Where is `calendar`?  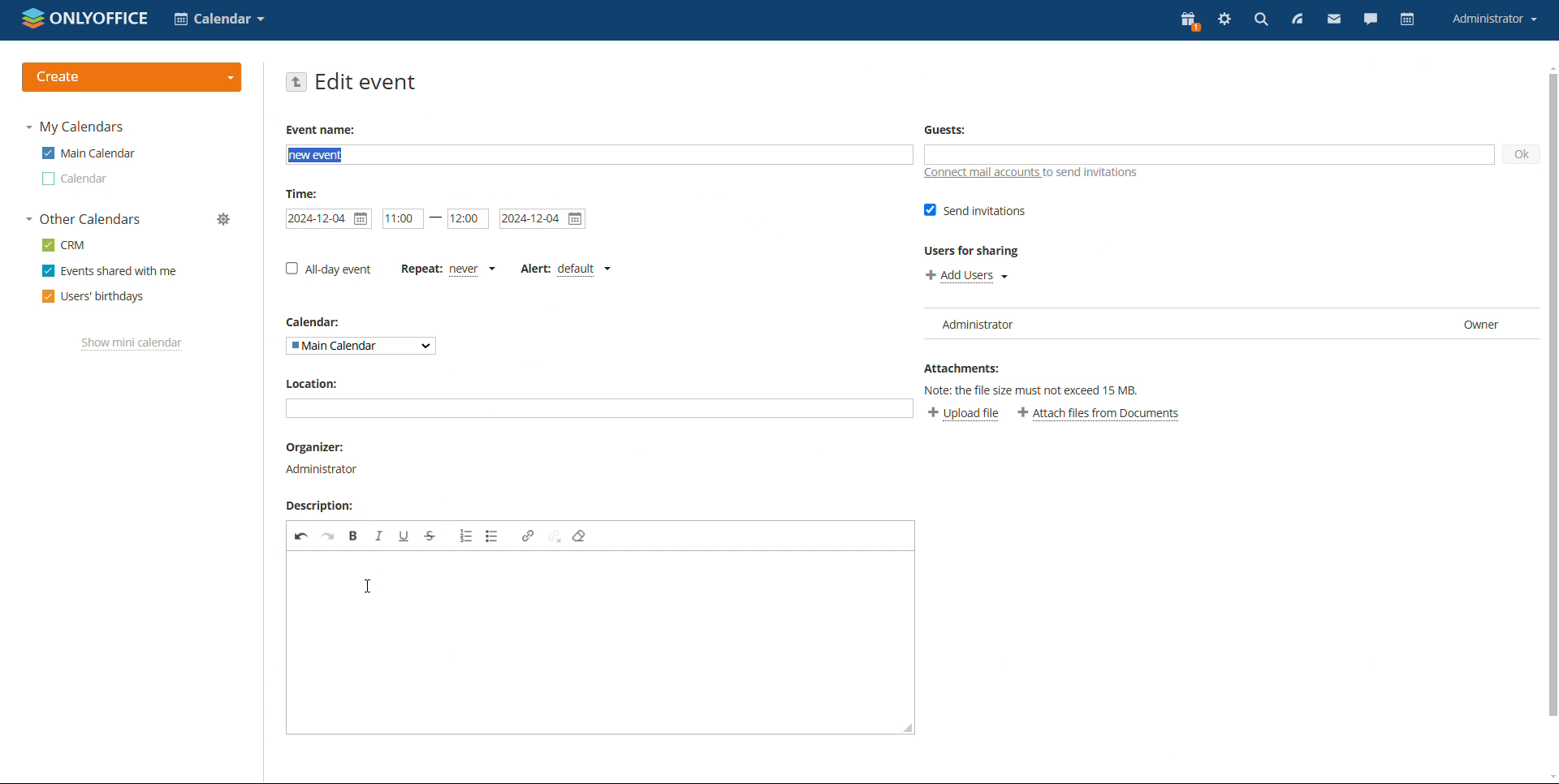 calendar is located at coordinates (1406, 20).